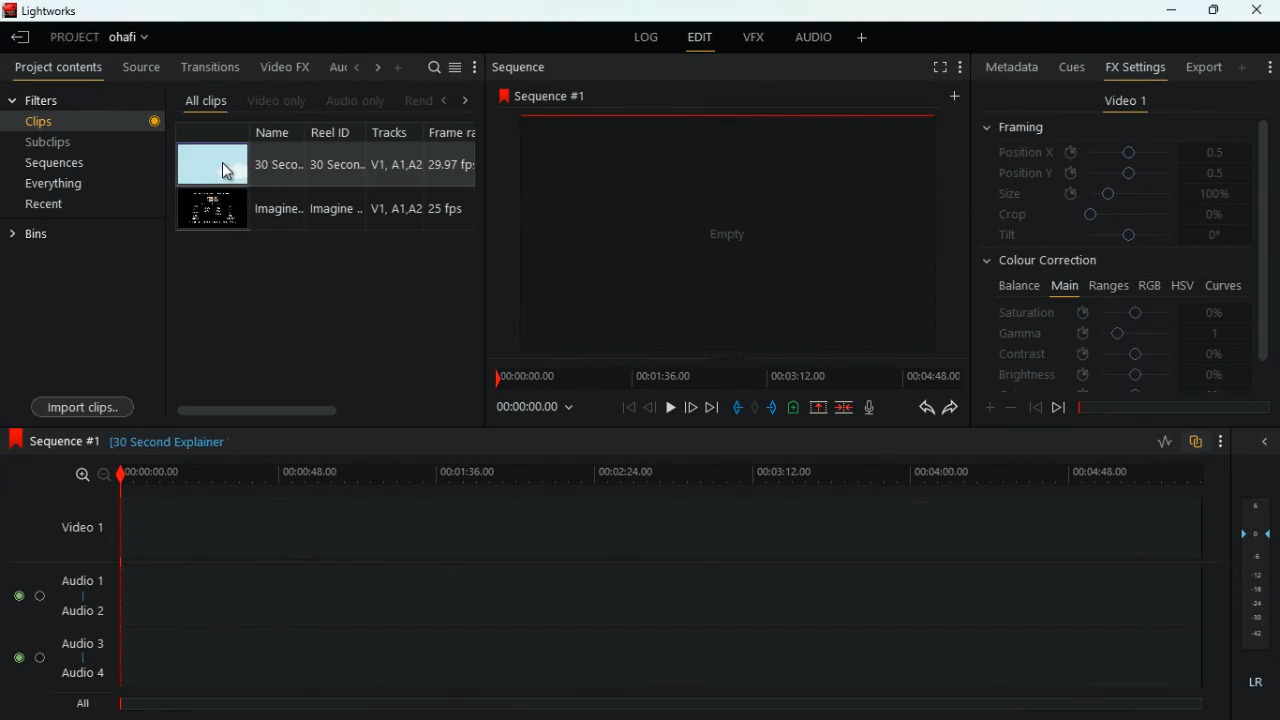  I want to click on more, so click(1221, 440).